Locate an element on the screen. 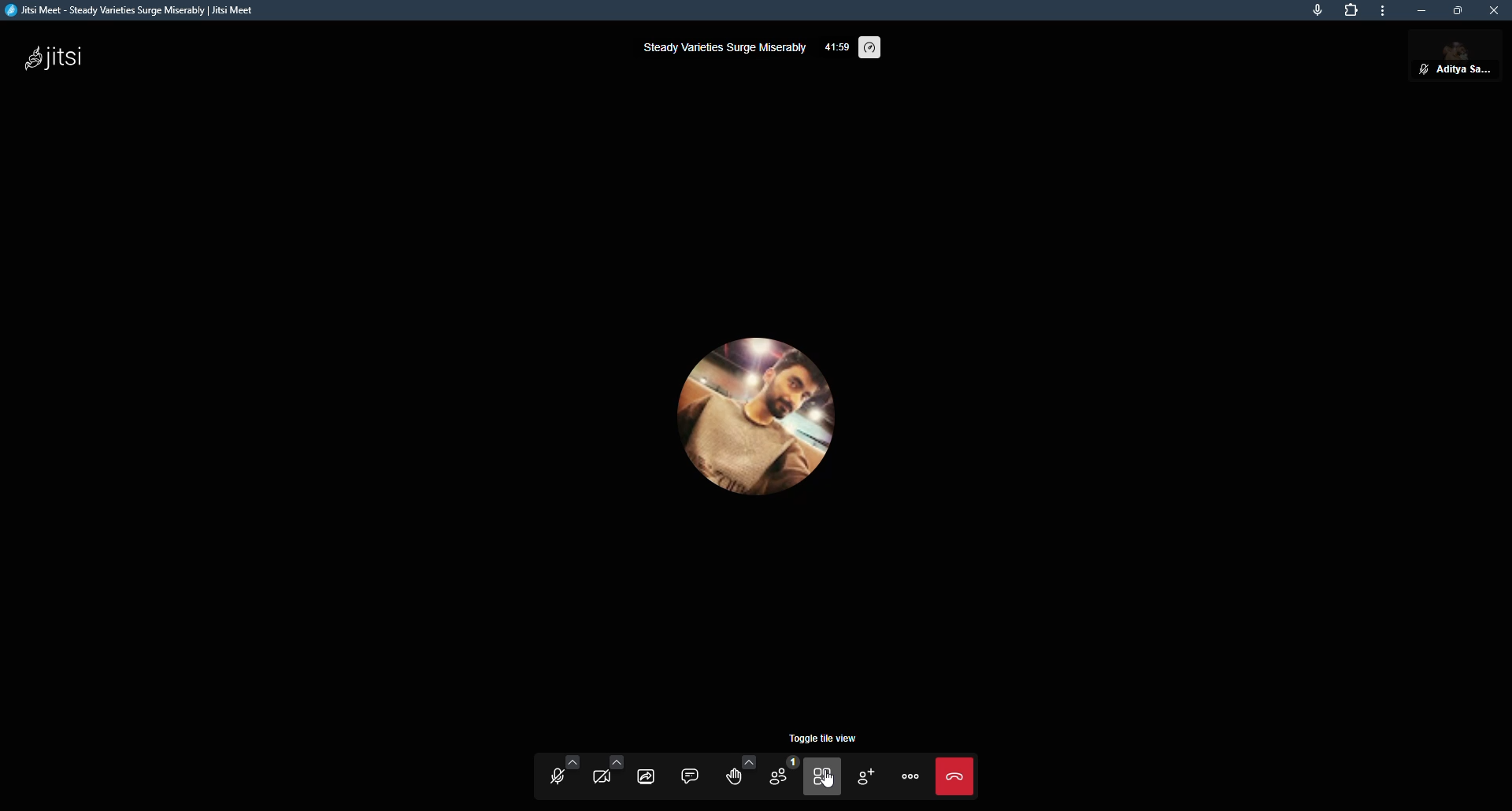 The image size is (1512, 811). share screen is located at coordinates (648, 776).